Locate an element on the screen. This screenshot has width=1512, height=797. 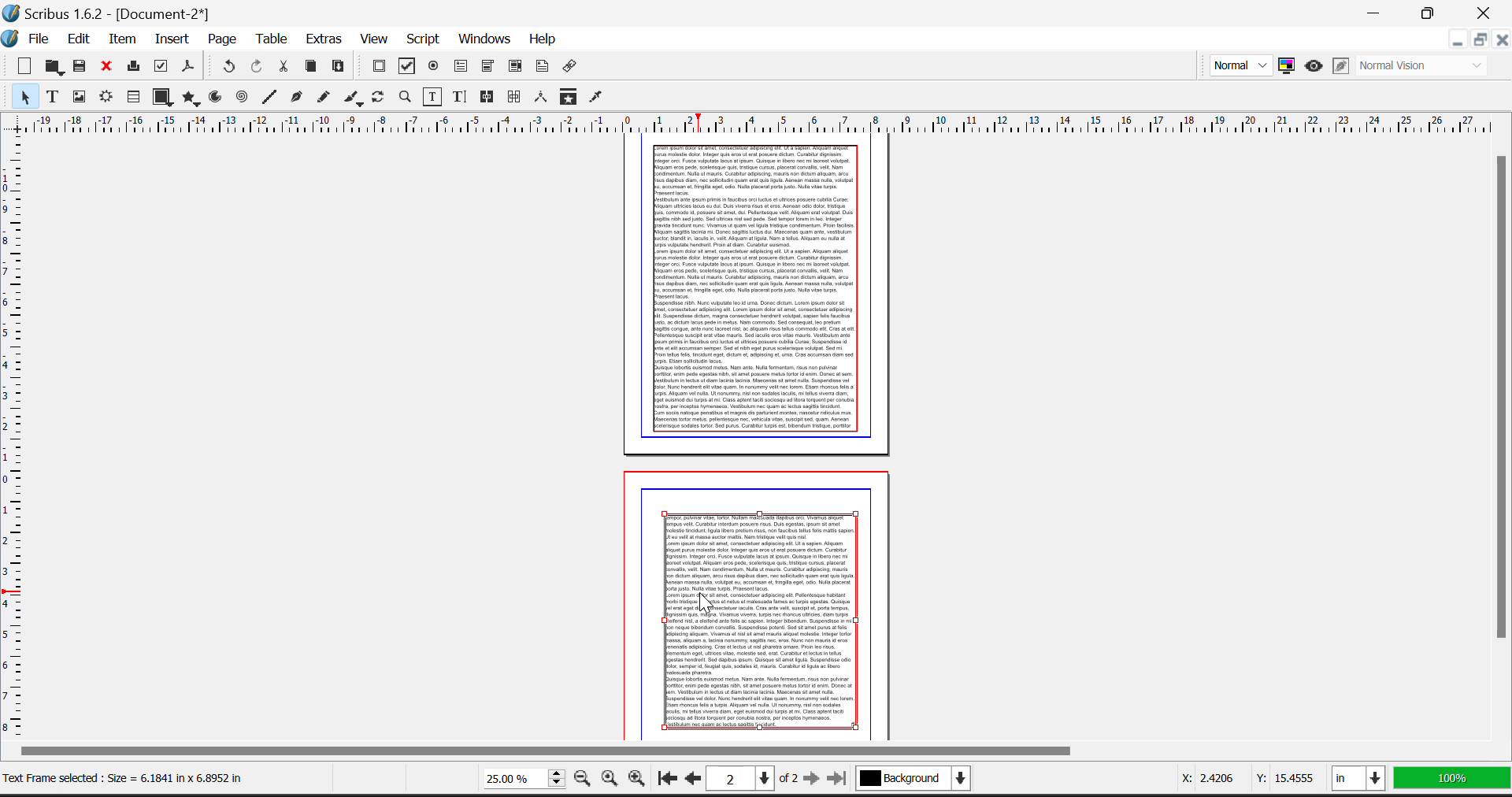
Table is located at coordinates (272, 41).